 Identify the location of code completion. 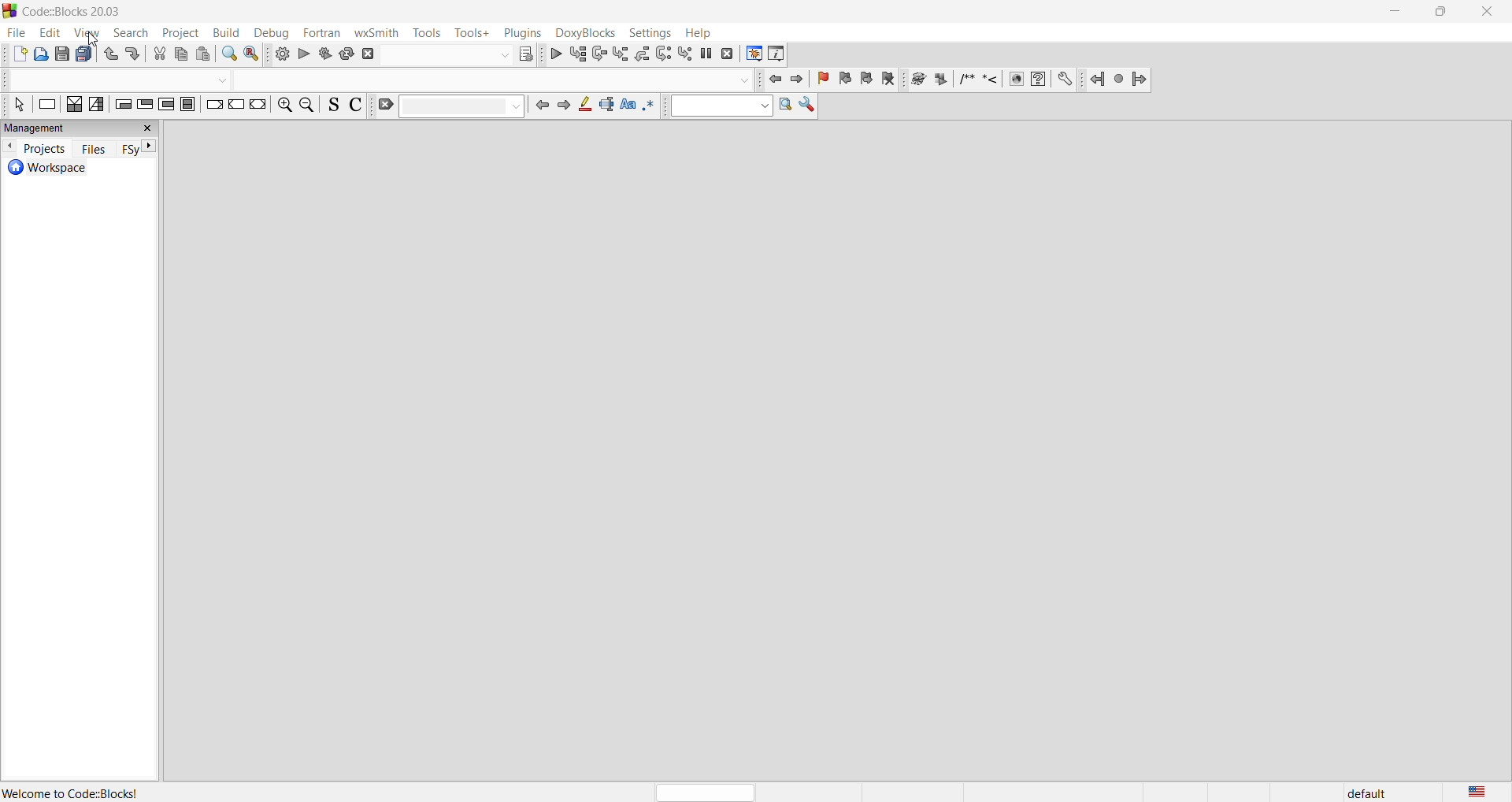
(381, 80).